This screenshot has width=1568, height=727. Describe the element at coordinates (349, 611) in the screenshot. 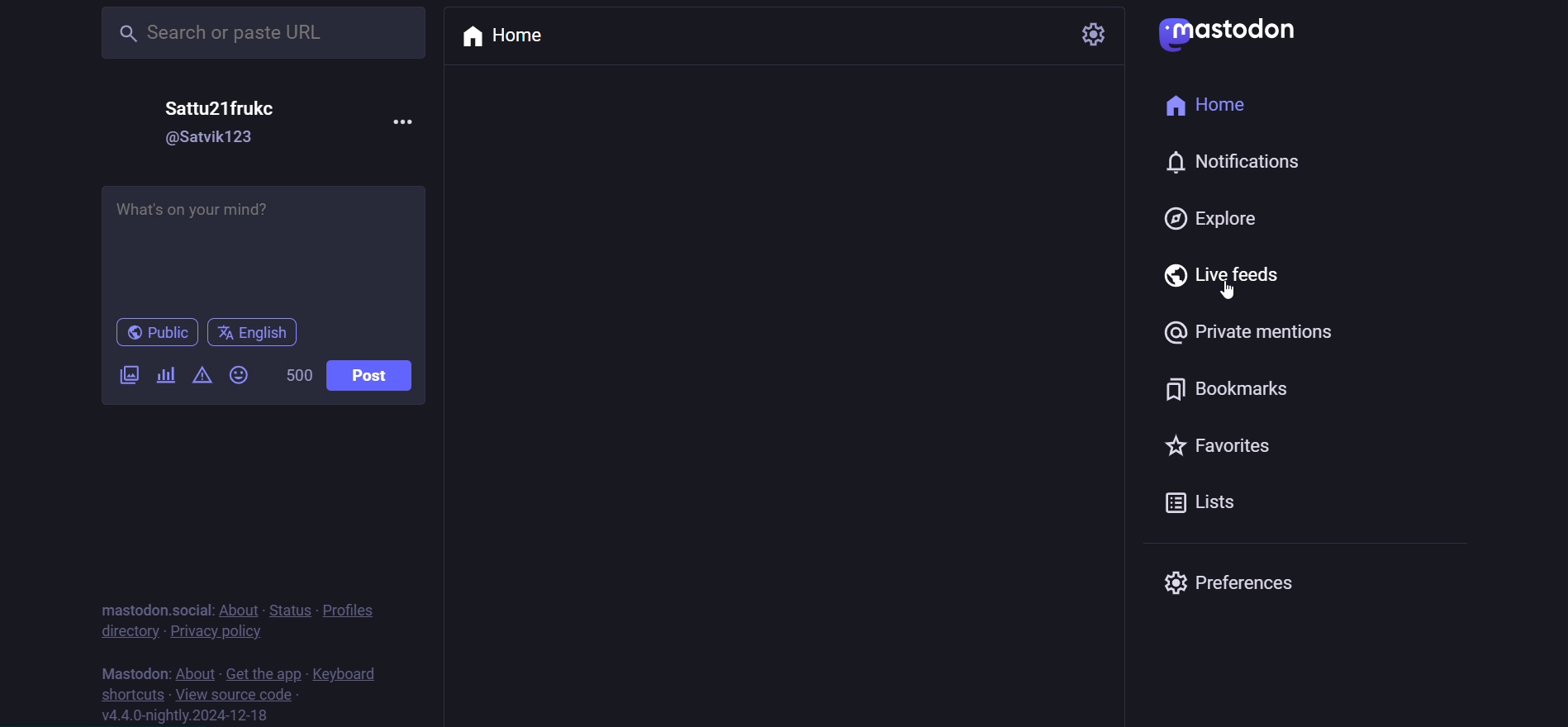

I see `profiles` at that location.